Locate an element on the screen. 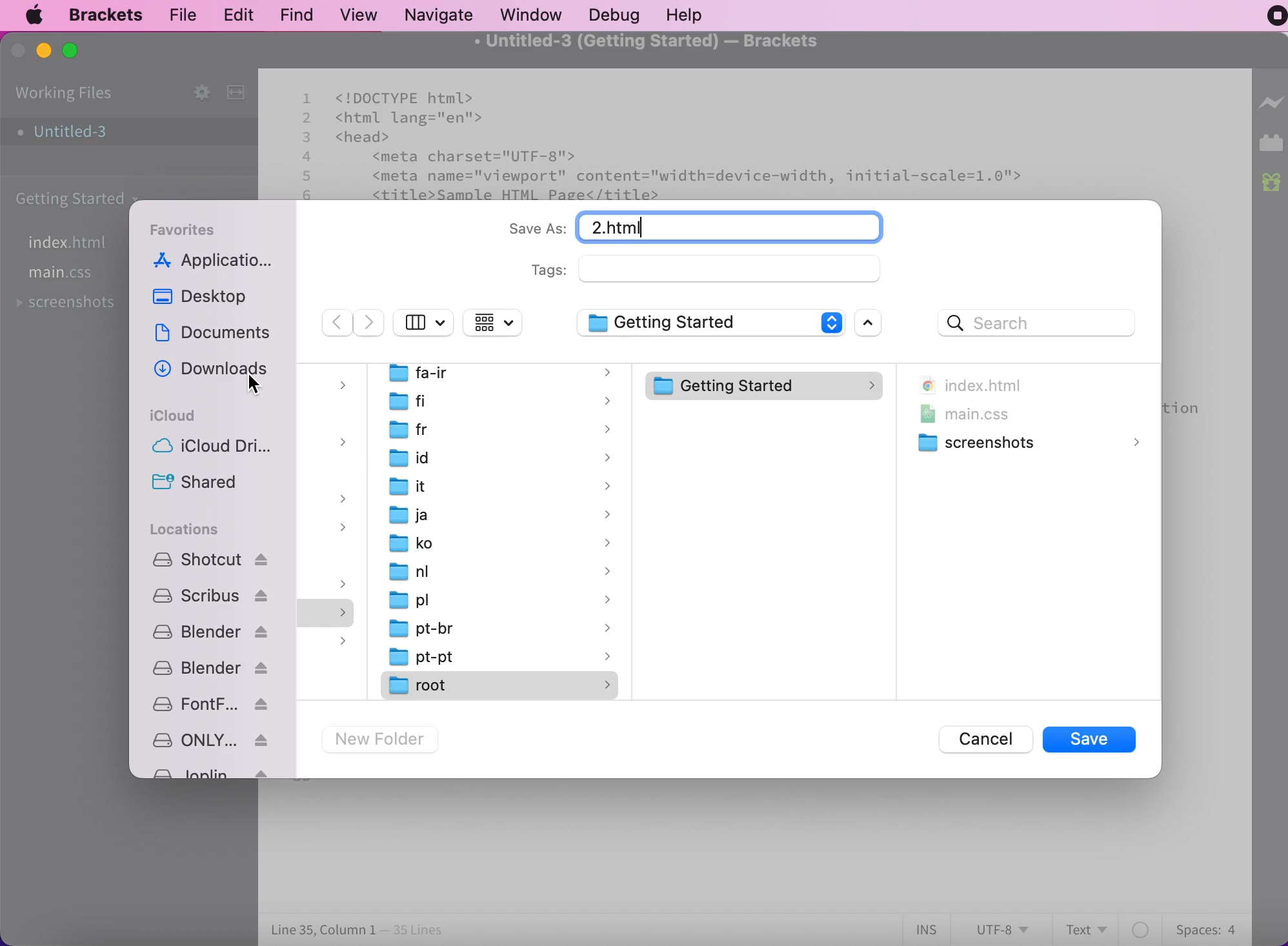 This screenshot has height=946, width=1288. file main.css is located at coordinates (66, 274).